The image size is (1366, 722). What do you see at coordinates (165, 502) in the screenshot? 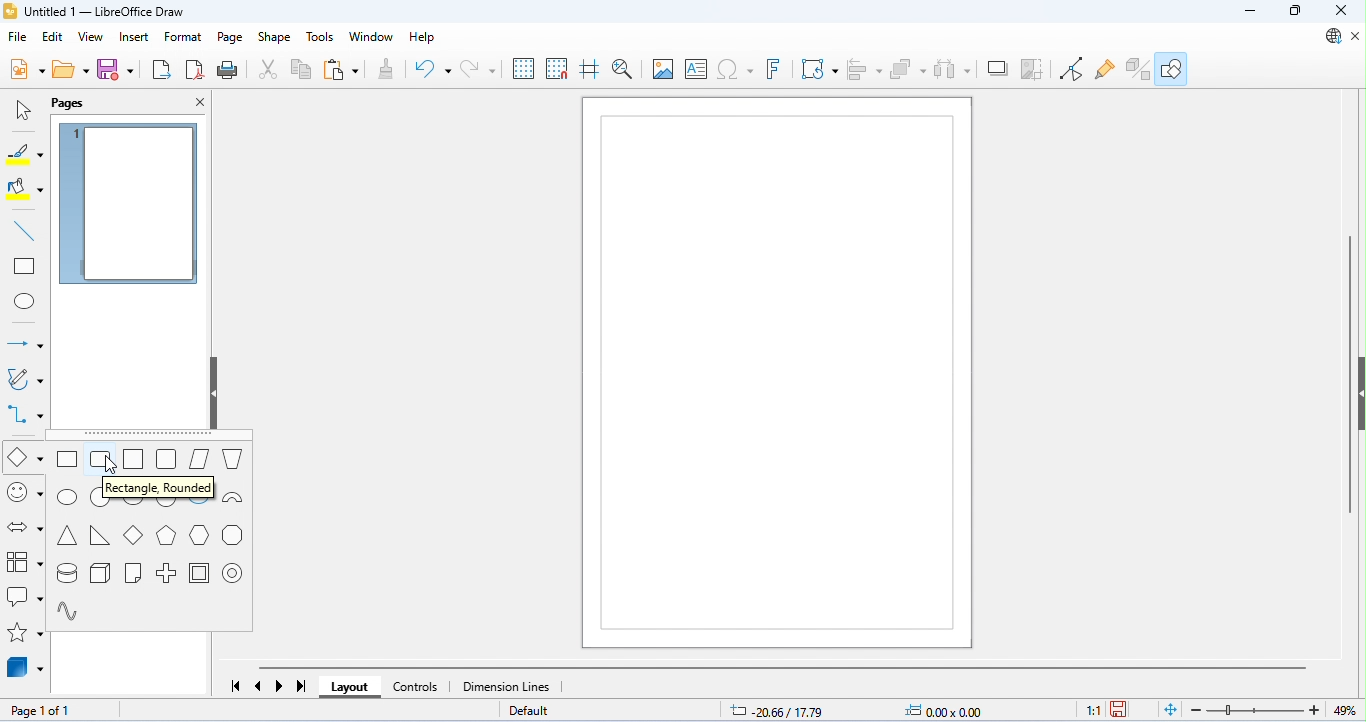
I see `circle segment` at bounding box center [165, 502].